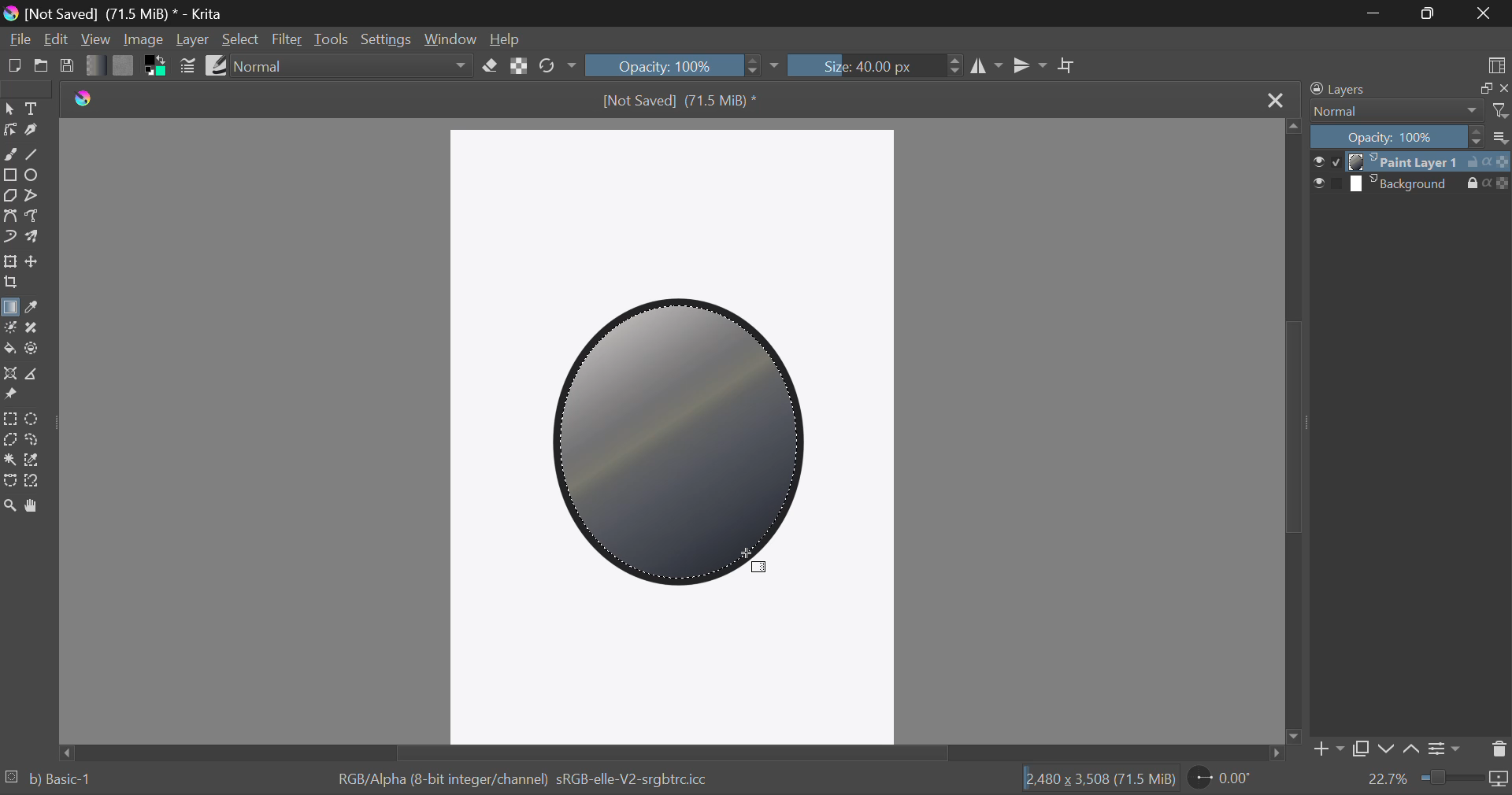 This screenshot has height=795, width=1512. Describe the element at coordinates (1220, 778) in the screenshot. I see `Rotate Page ` at that location.